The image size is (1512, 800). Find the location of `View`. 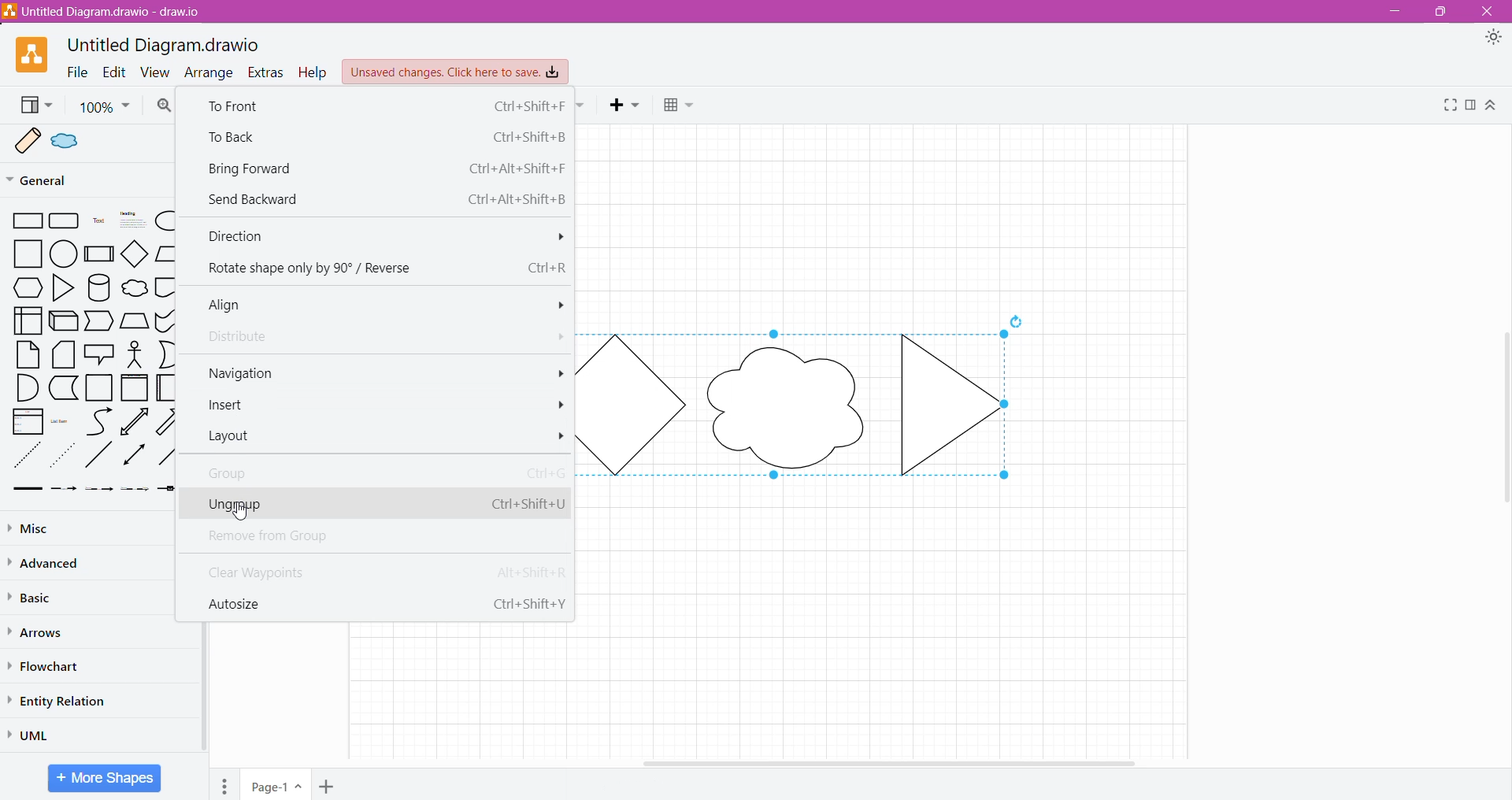

View is located at coordinates (156, 72).